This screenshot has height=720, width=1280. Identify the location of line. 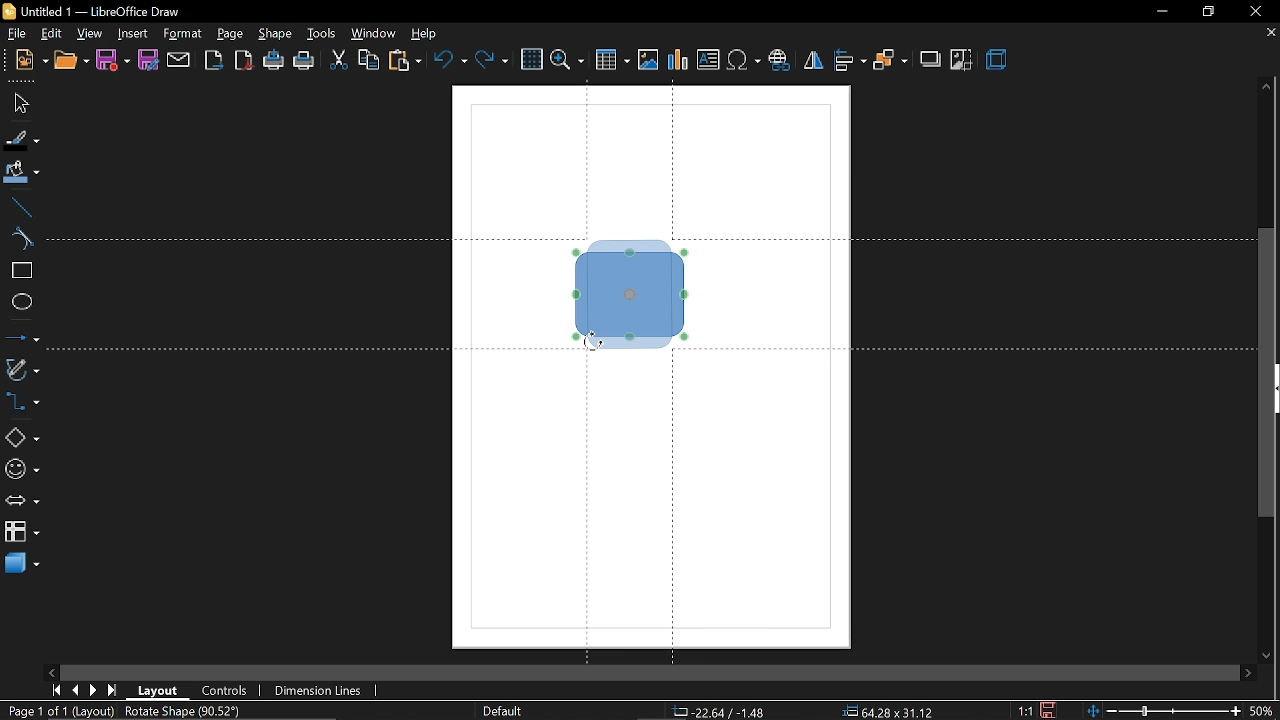
(19, 208).